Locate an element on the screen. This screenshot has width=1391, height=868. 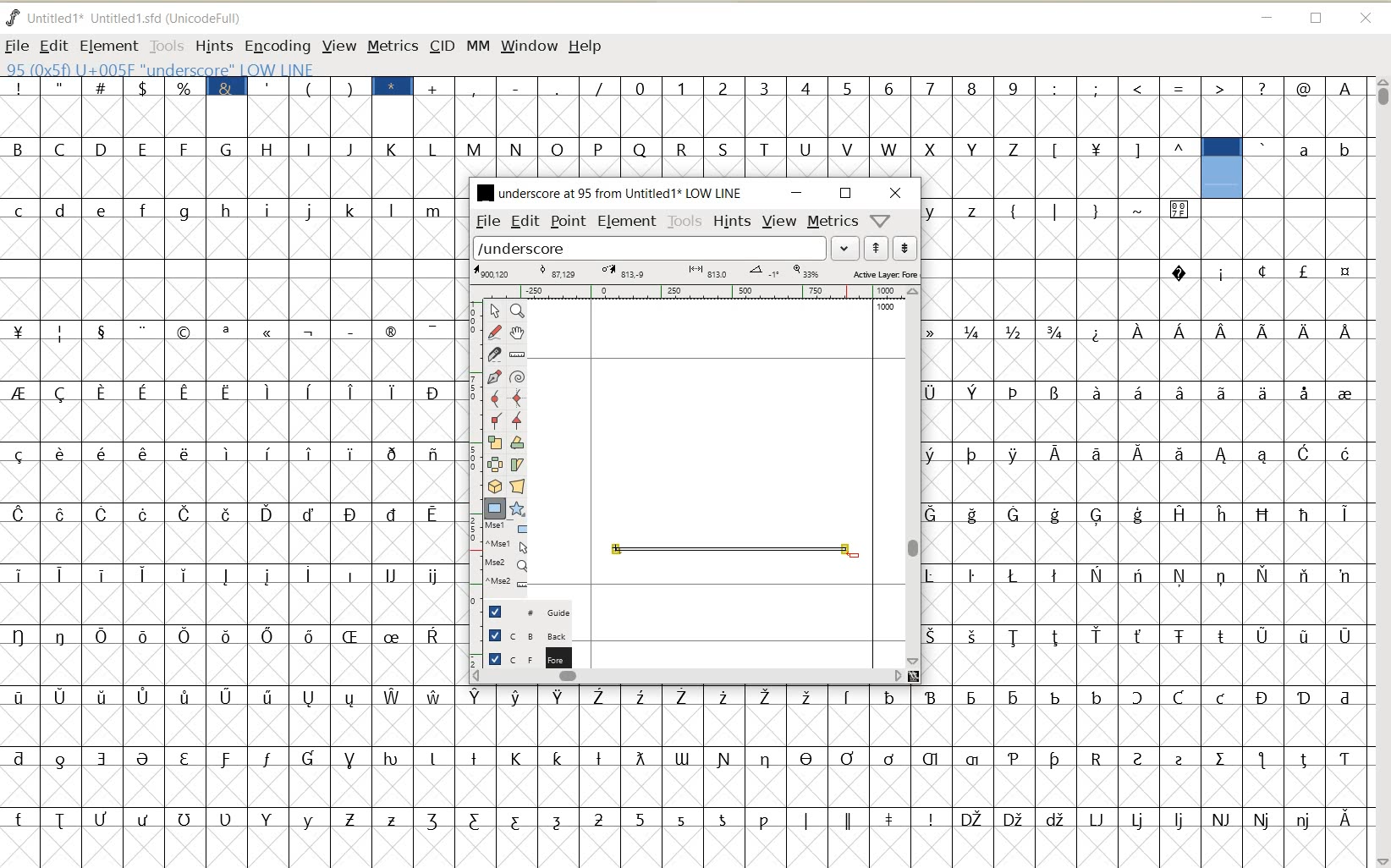
draw a freehand curve is located at coordinates (496, 332).